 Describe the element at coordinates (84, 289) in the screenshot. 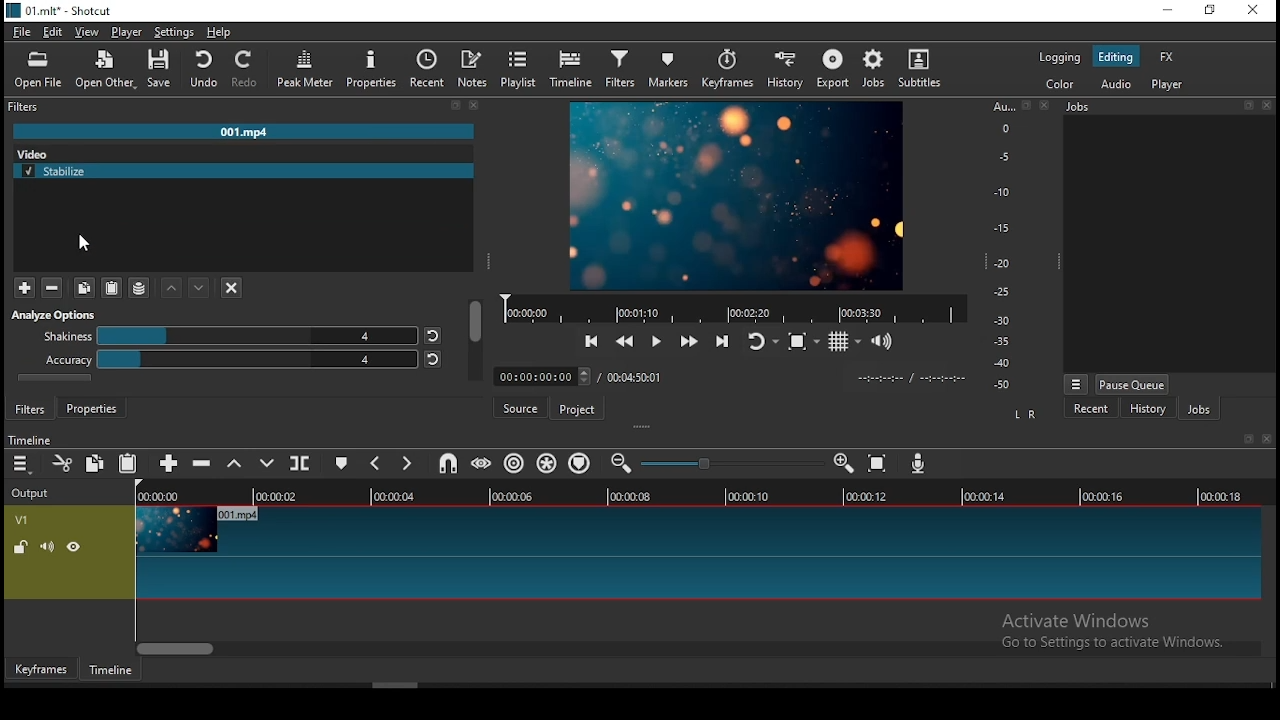

I see `duplicate` at that location.